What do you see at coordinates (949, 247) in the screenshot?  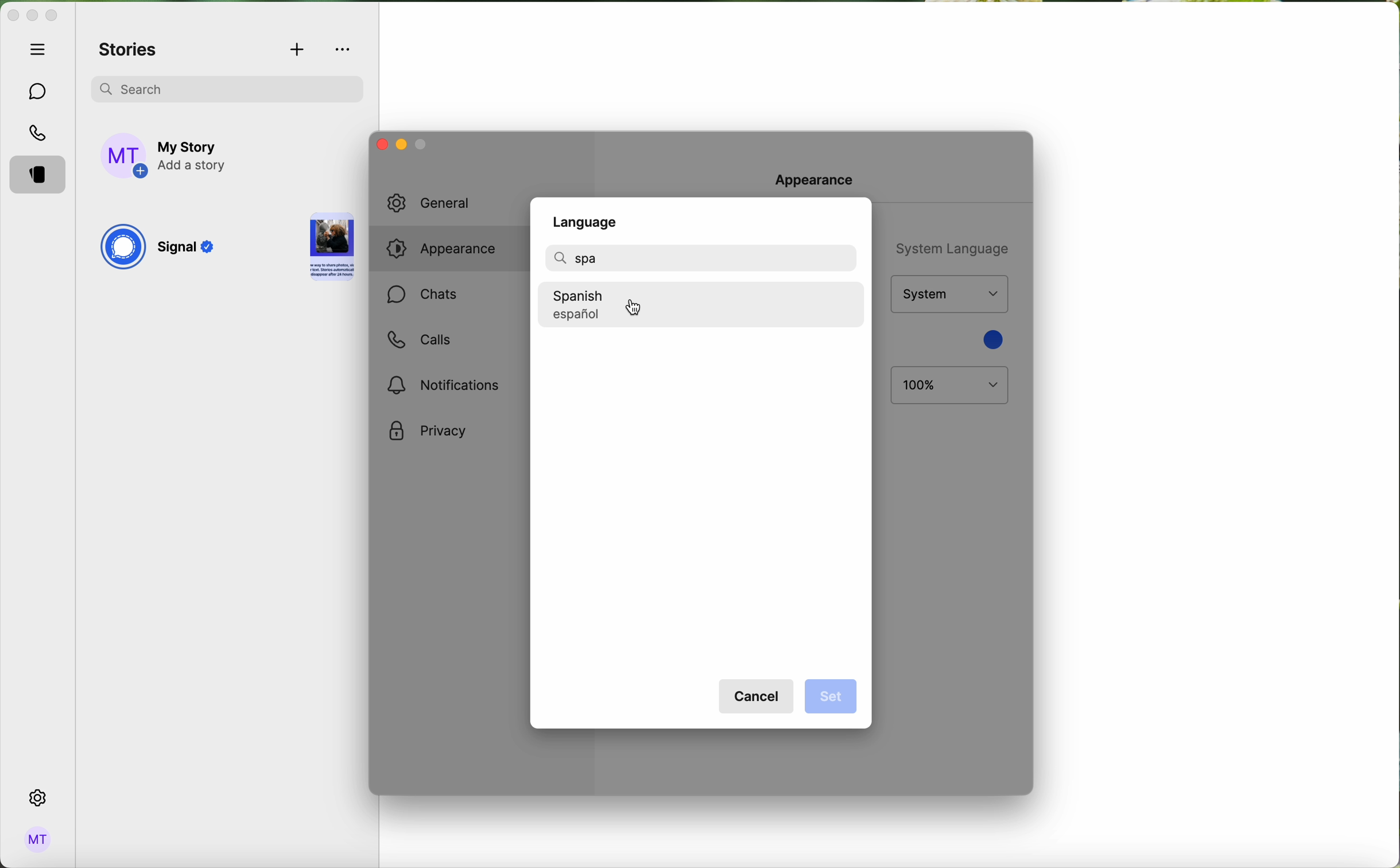 I see `system language` at bounding box center [949, 247].